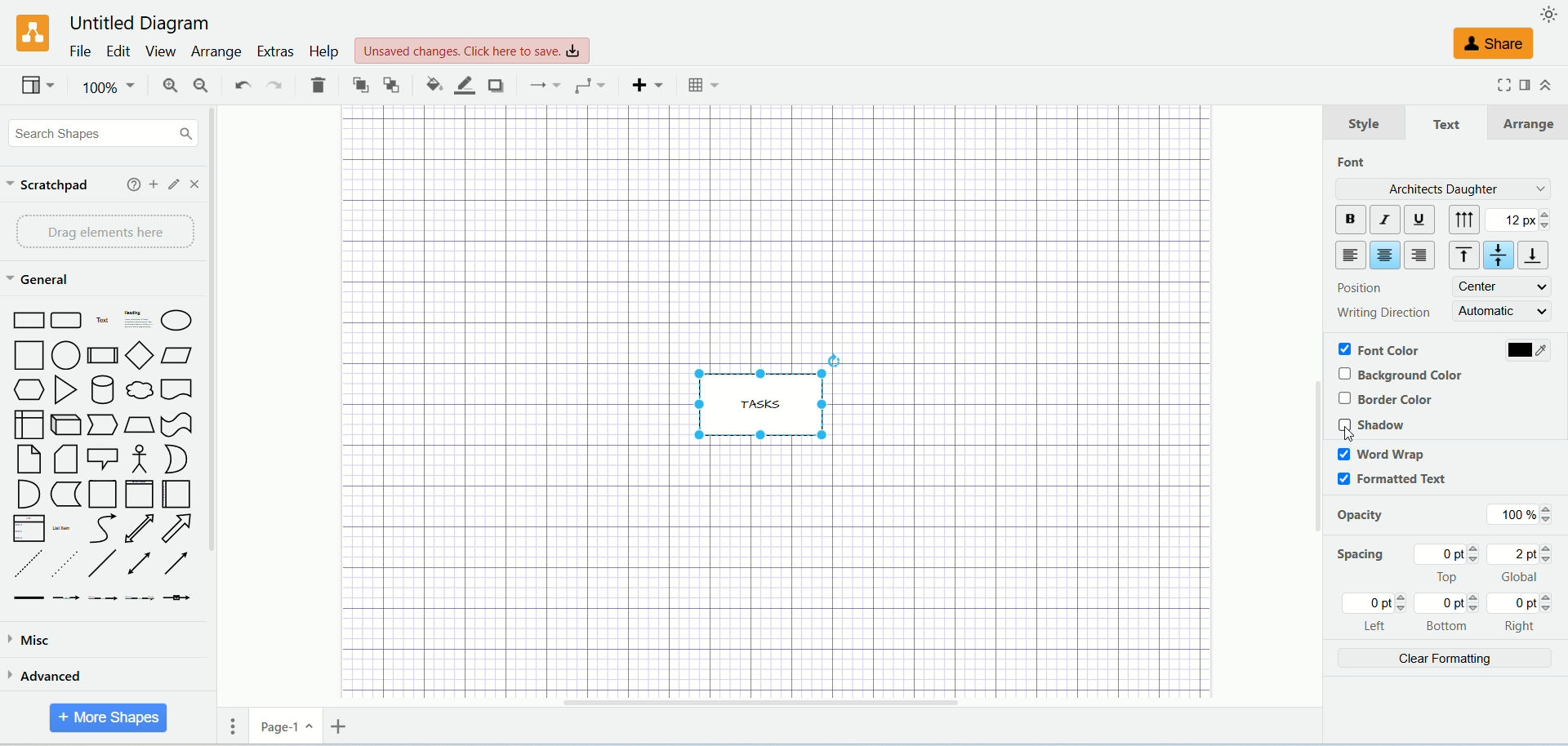 The image size is (1568, 746). I want to click on view, so click(158, 51).